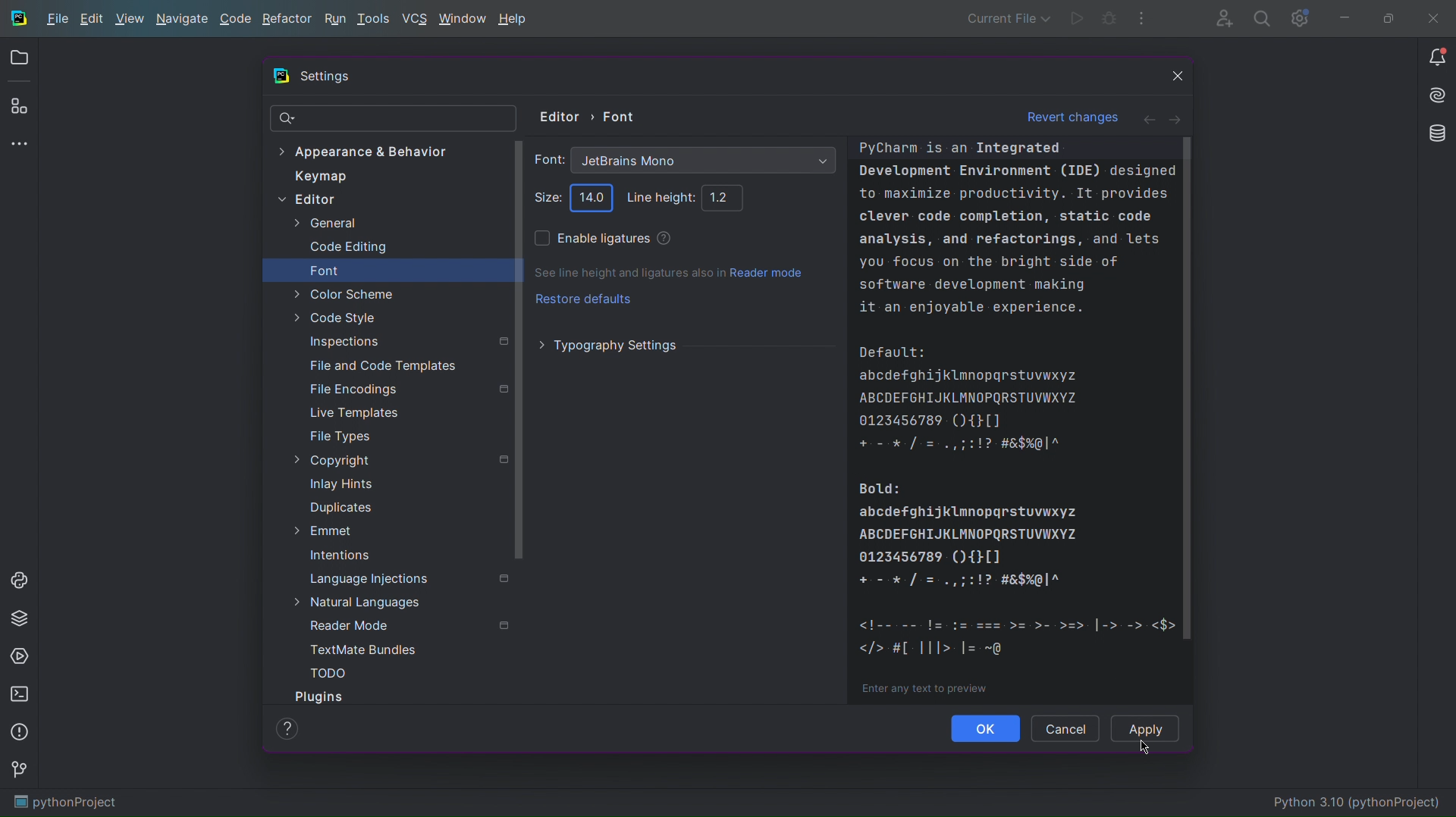 The image size is (1456, 817). I want to click on Problems, so click(21, 734).